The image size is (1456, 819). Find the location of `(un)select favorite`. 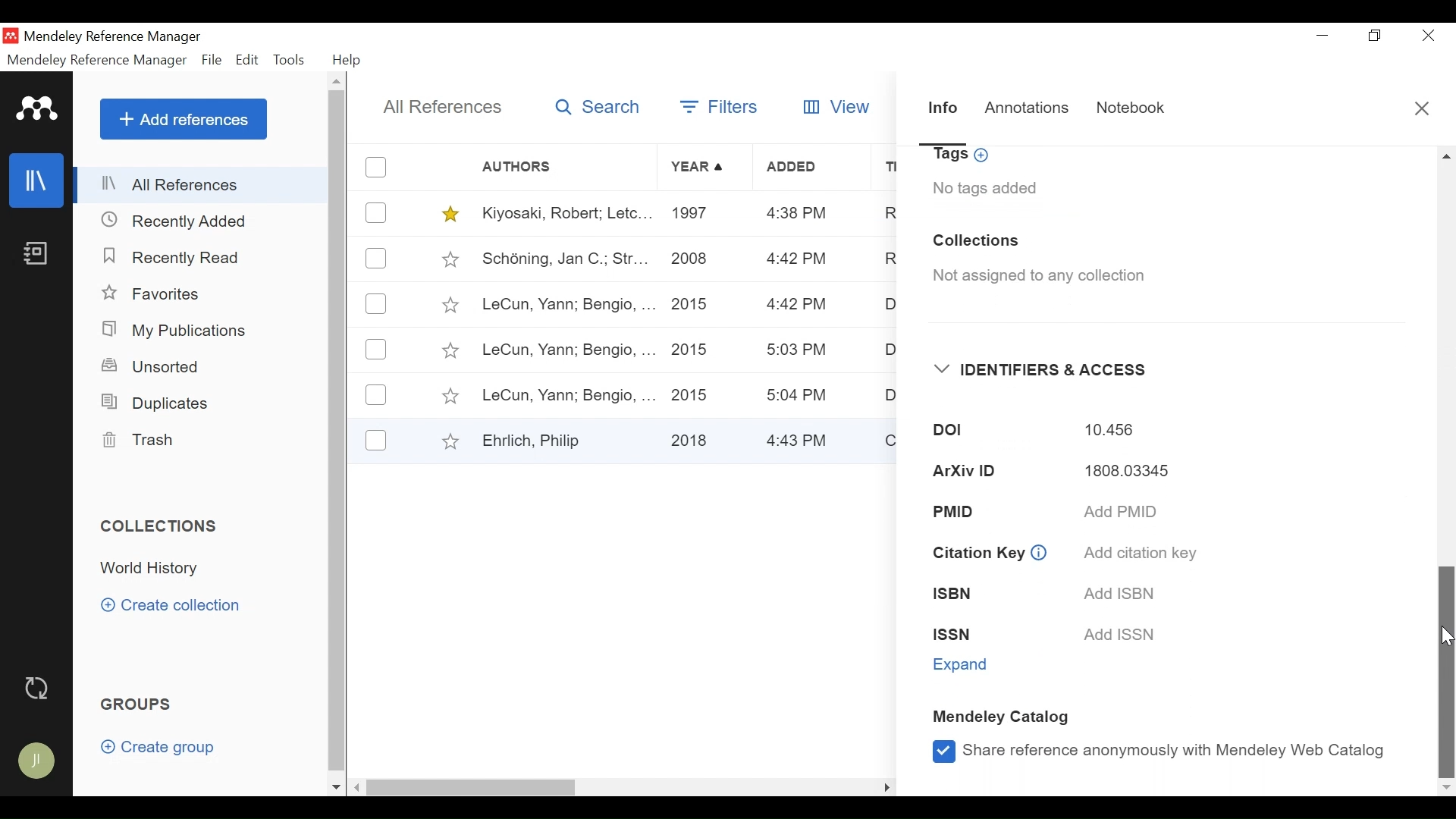

(un)select favorite is located at coordinates (447, 441).